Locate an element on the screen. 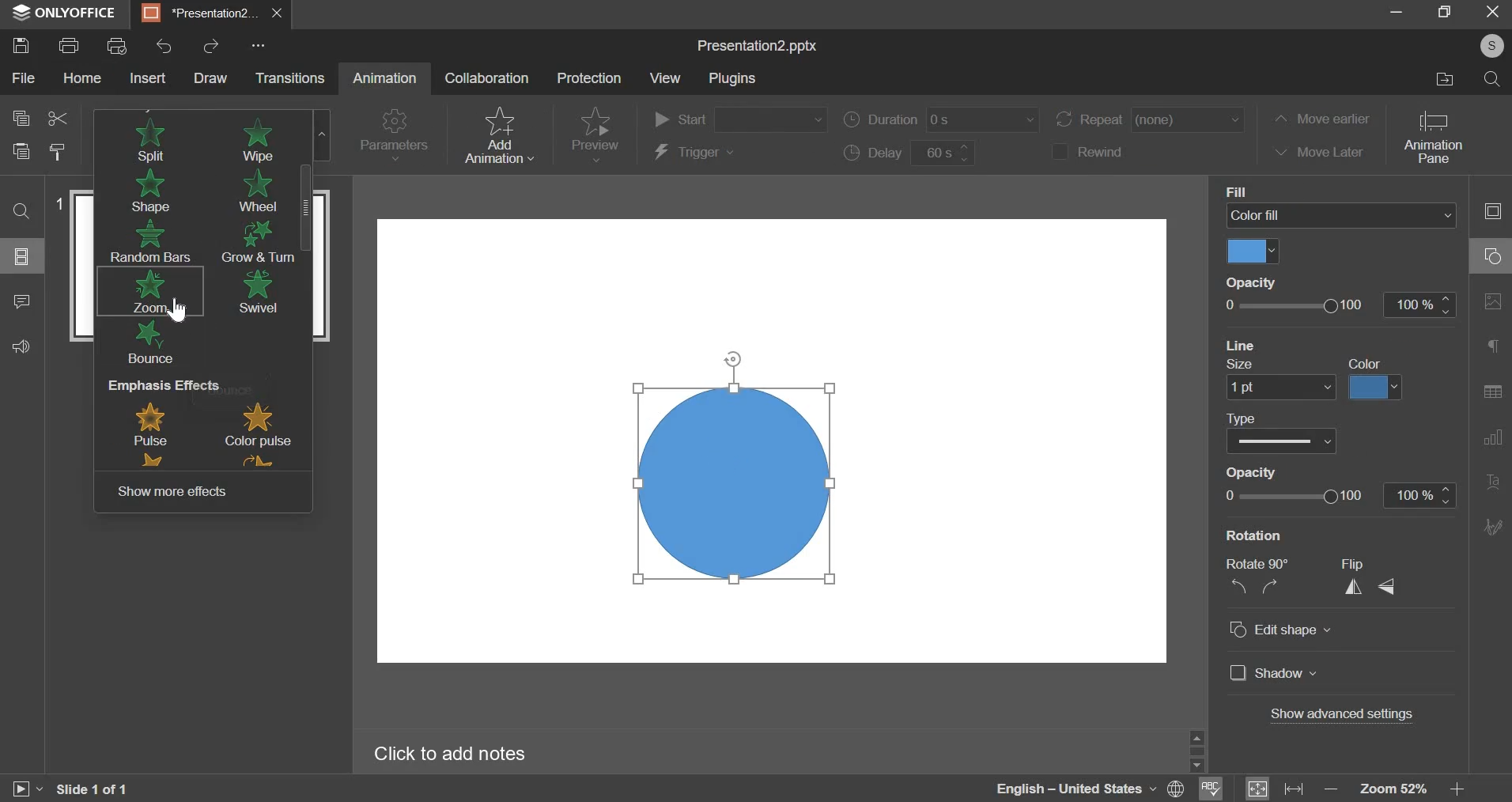  Plug is located at coordinates (735, 80).